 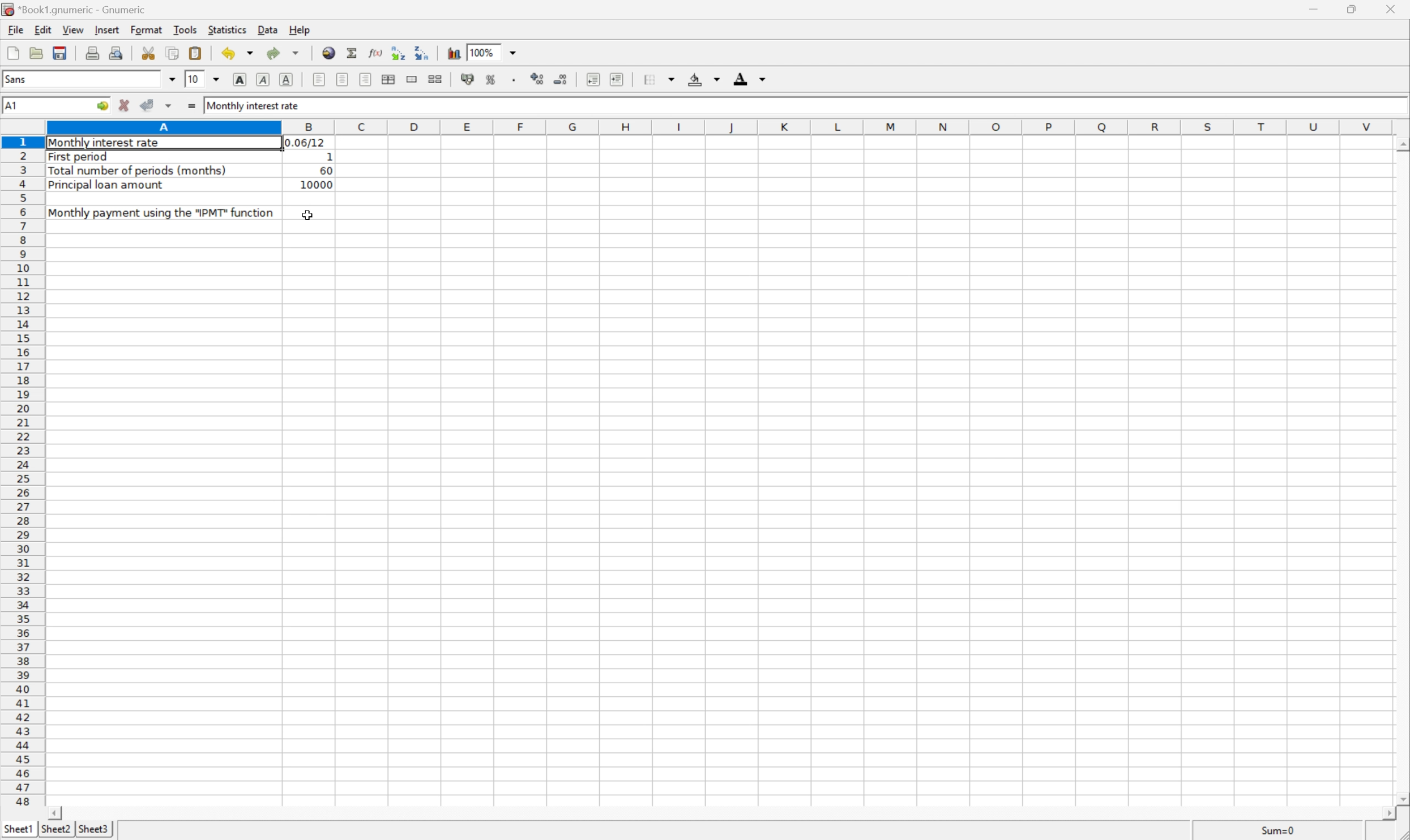 I want to click on Align Left, so click(x=317, y=79).